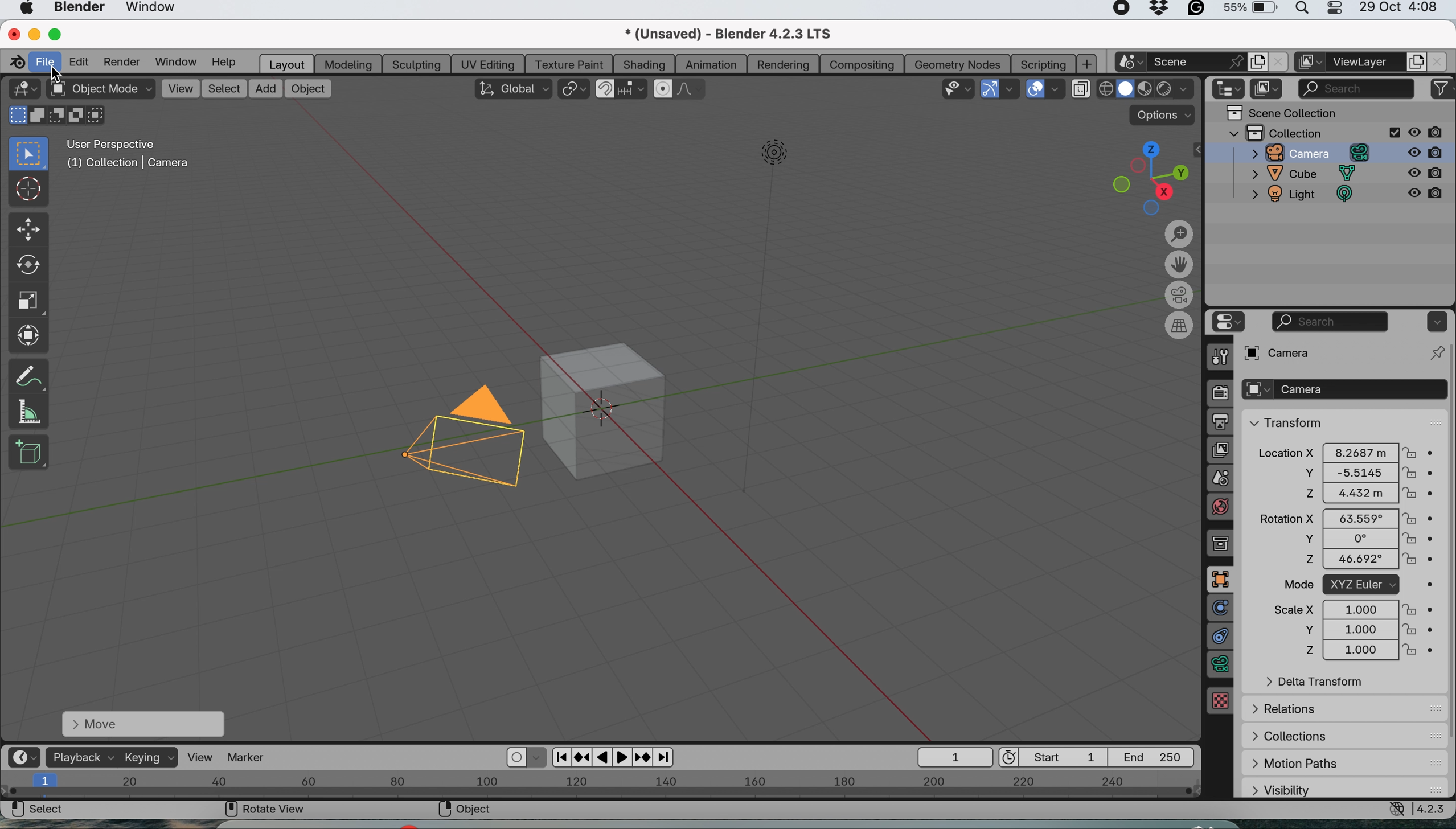 This screenshot has height=829, width=1456. What do you see at coordinates (200, 756) in the screenshot?
I see `view` at bounding box center [200, 756].